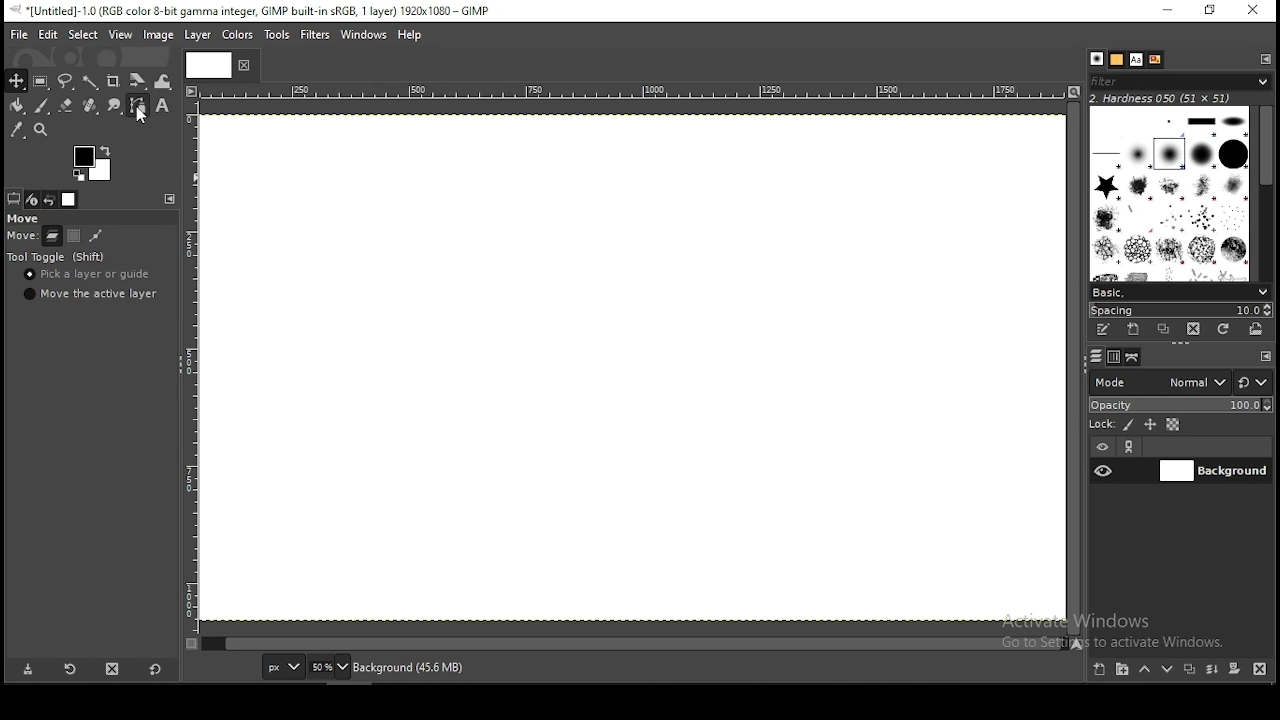 The width and height of the screenshot is (1280, 720). What do you see at coordinates (1262, 60) in the screenshot?
I see `configure this tab` at bounding box center [1262, 60].